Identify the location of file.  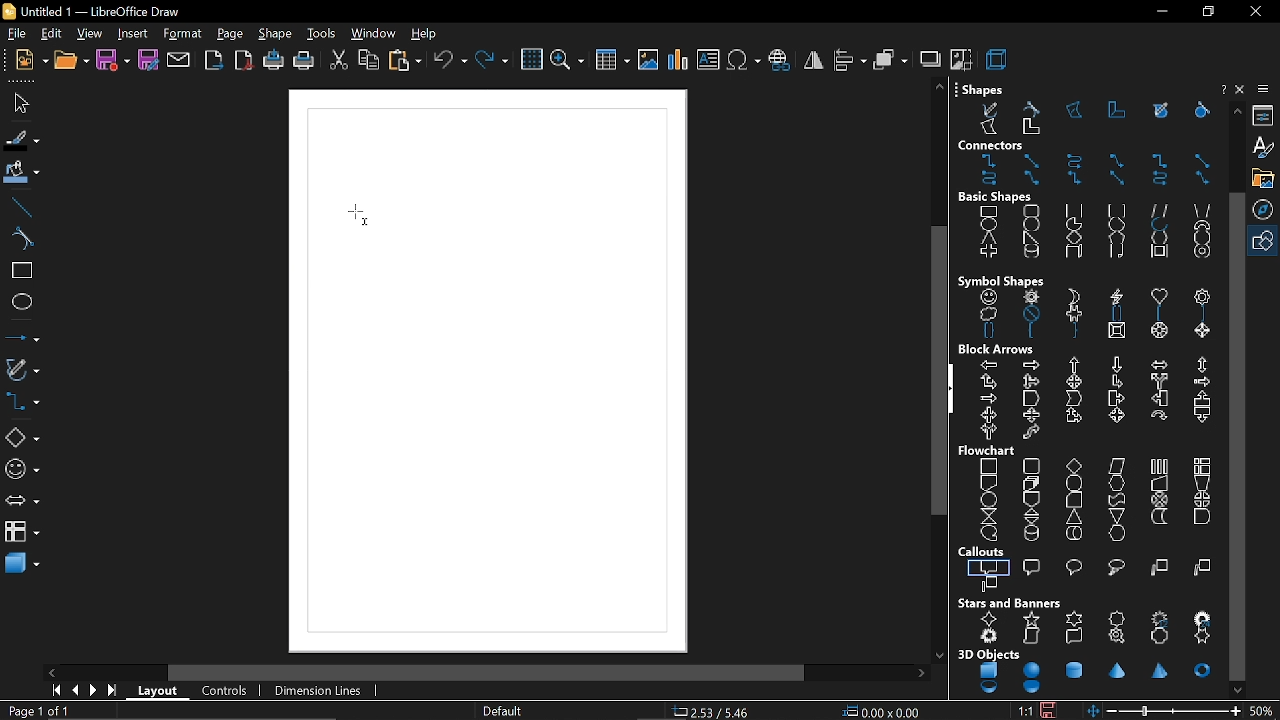
(16, 33).